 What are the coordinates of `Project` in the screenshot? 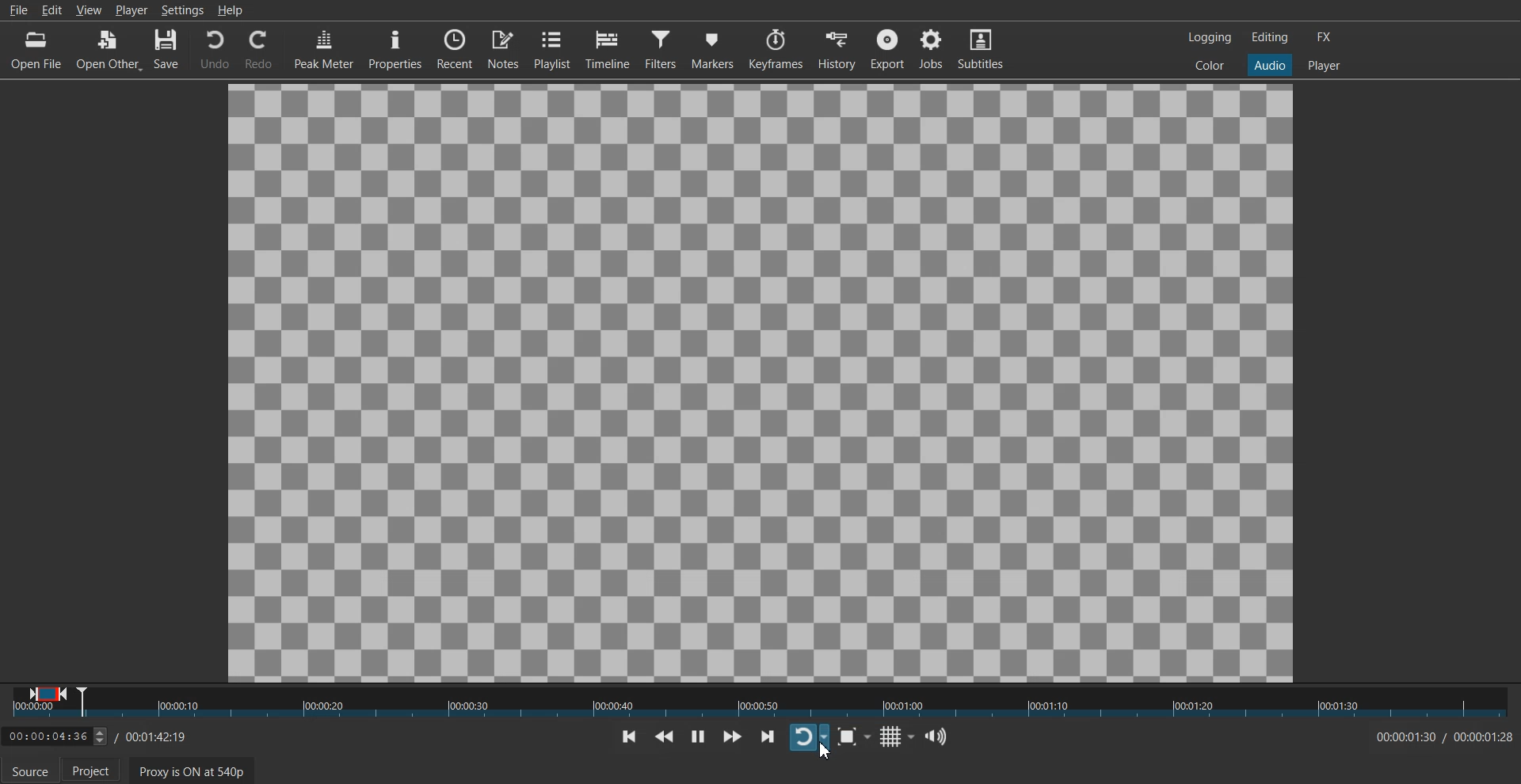 It's located at (96, 771).